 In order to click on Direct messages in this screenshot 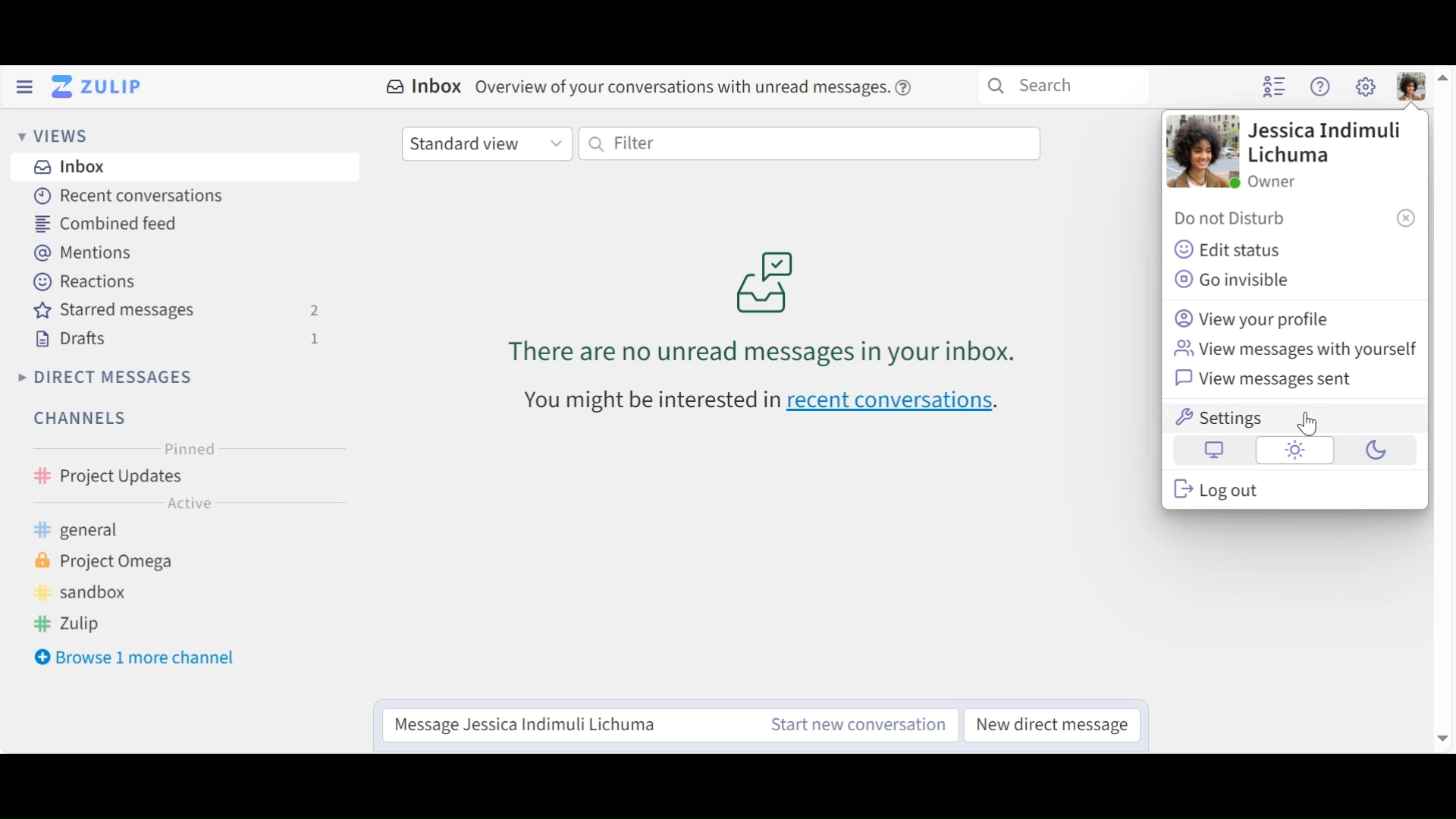, I will do `click(111, 377)`.